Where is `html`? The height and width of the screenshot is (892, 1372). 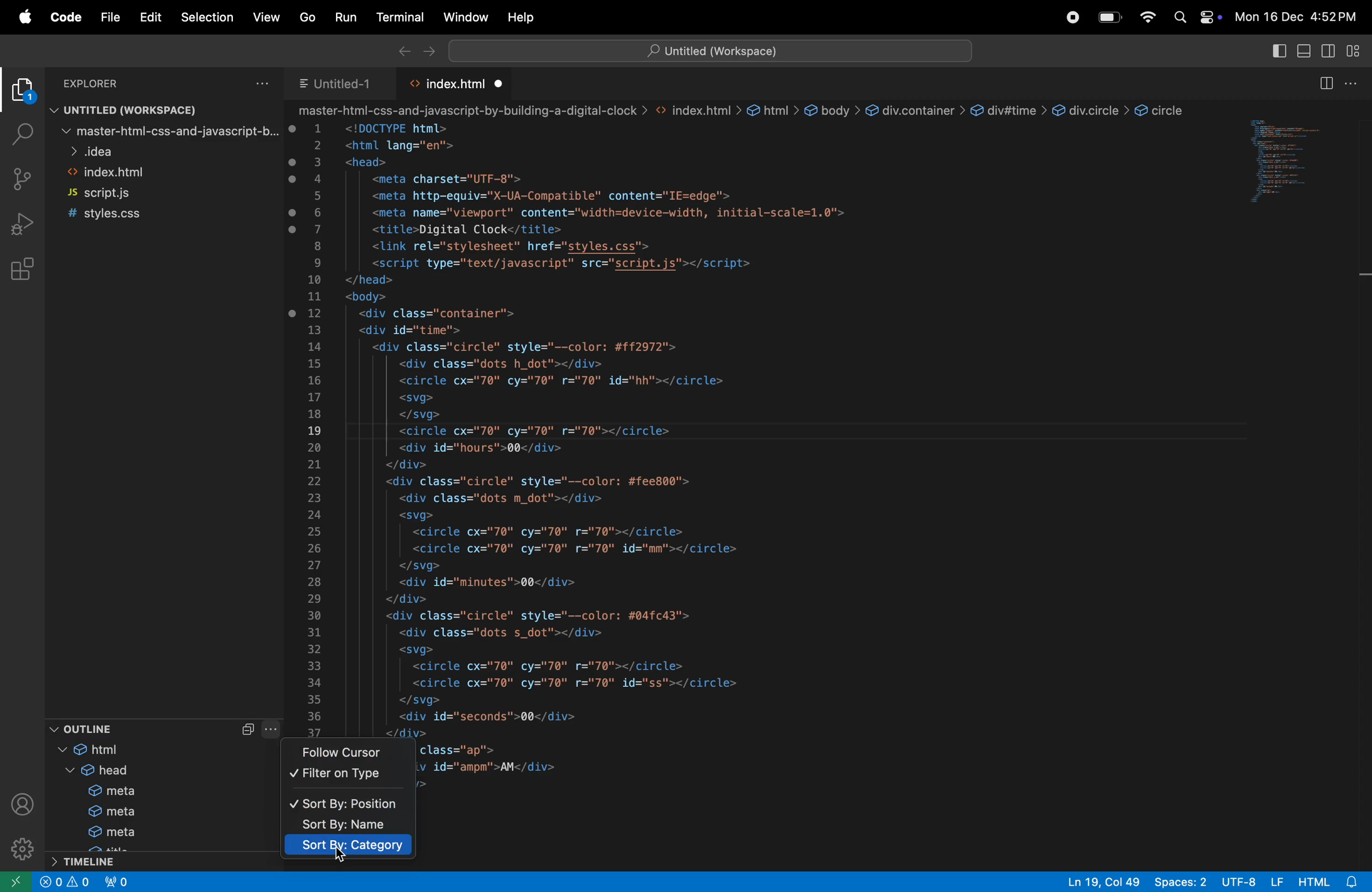 html is located at coordinates (111, 751).